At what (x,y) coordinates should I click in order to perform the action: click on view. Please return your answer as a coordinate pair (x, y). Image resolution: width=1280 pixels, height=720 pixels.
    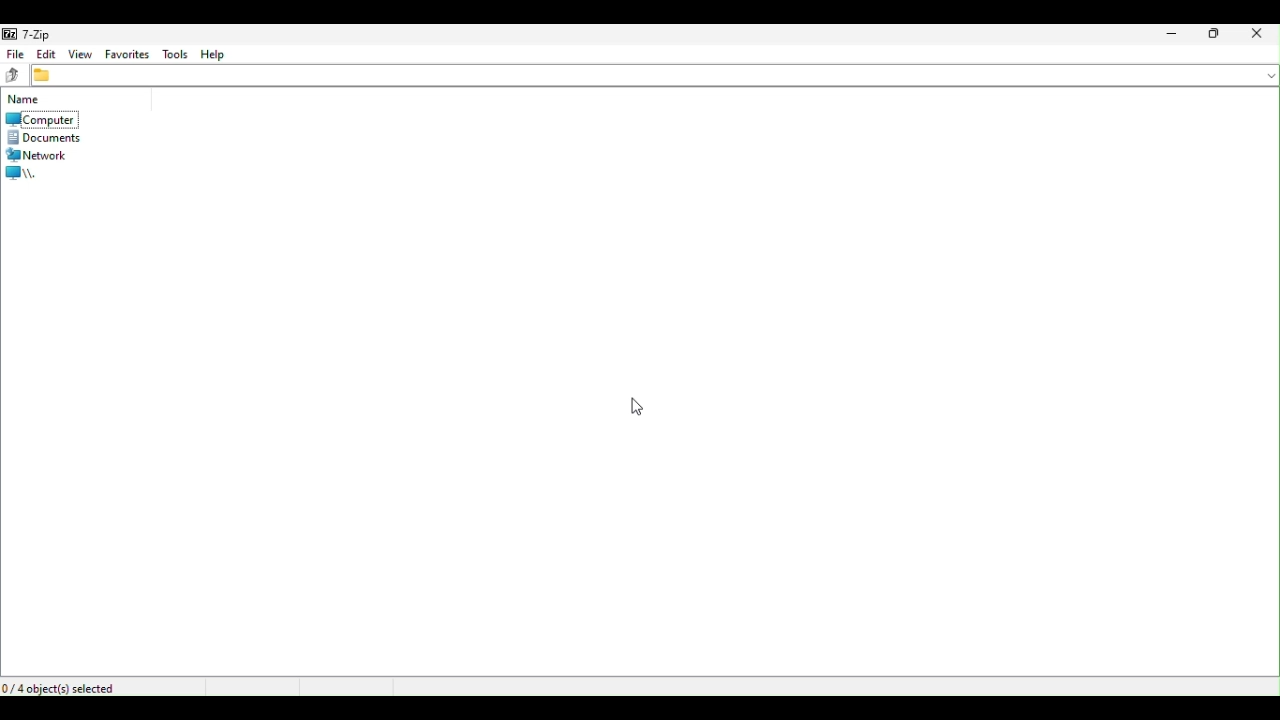
    Looking at the image, I should click on (82, 54).